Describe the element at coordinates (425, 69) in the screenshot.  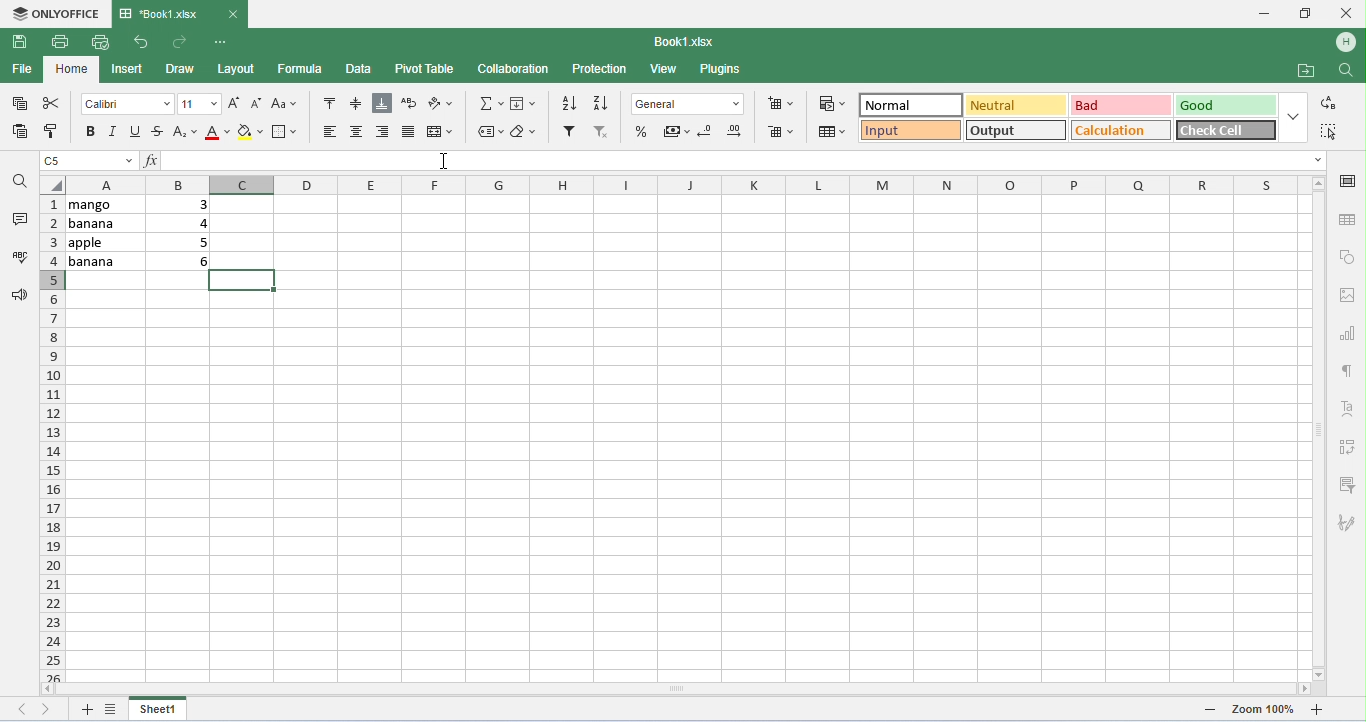
I see `pivot table` at that location.